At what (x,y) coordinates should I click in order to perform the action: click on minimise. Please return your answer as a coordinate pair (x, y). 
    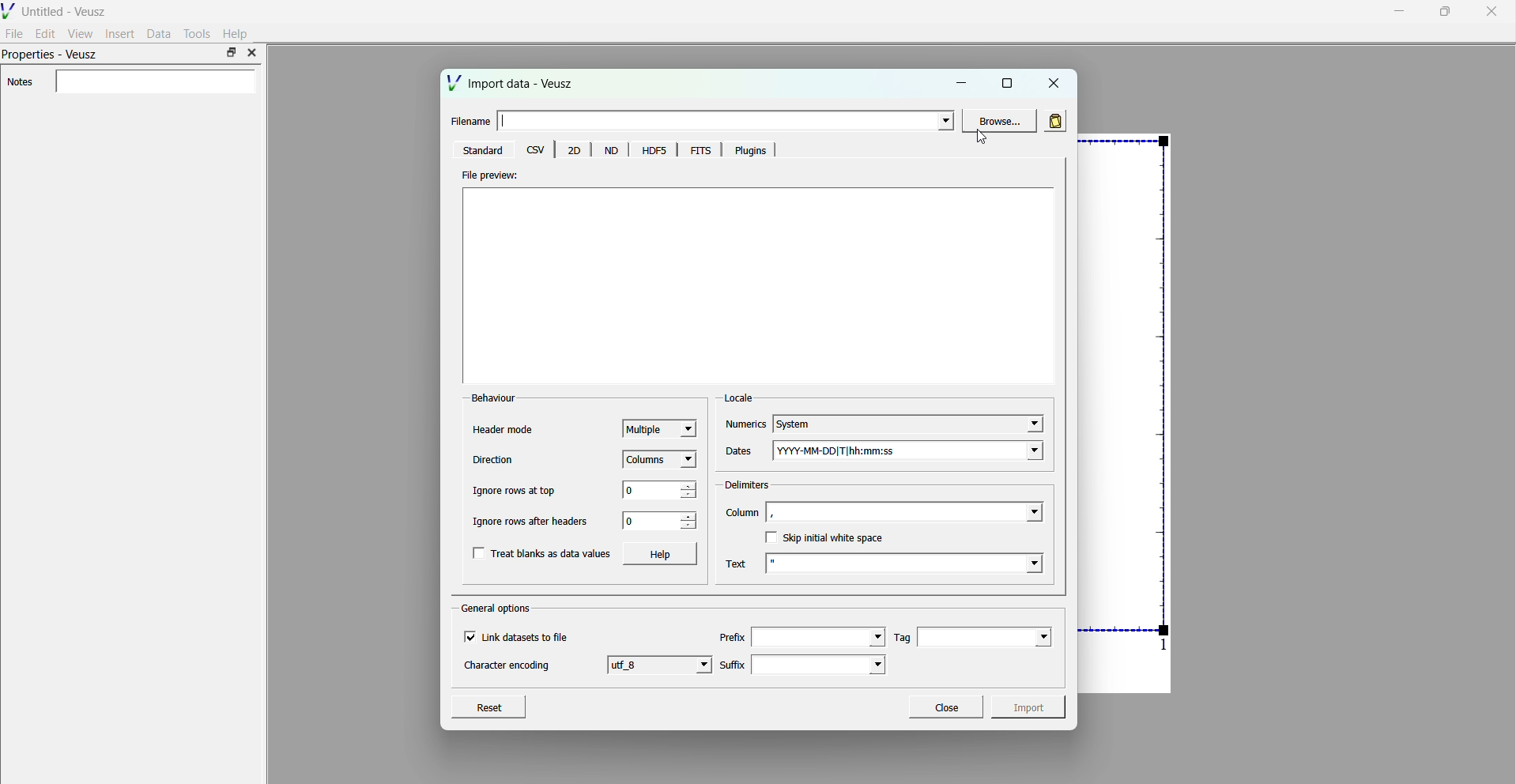
    Looking at the image, I should click on (964, 81).